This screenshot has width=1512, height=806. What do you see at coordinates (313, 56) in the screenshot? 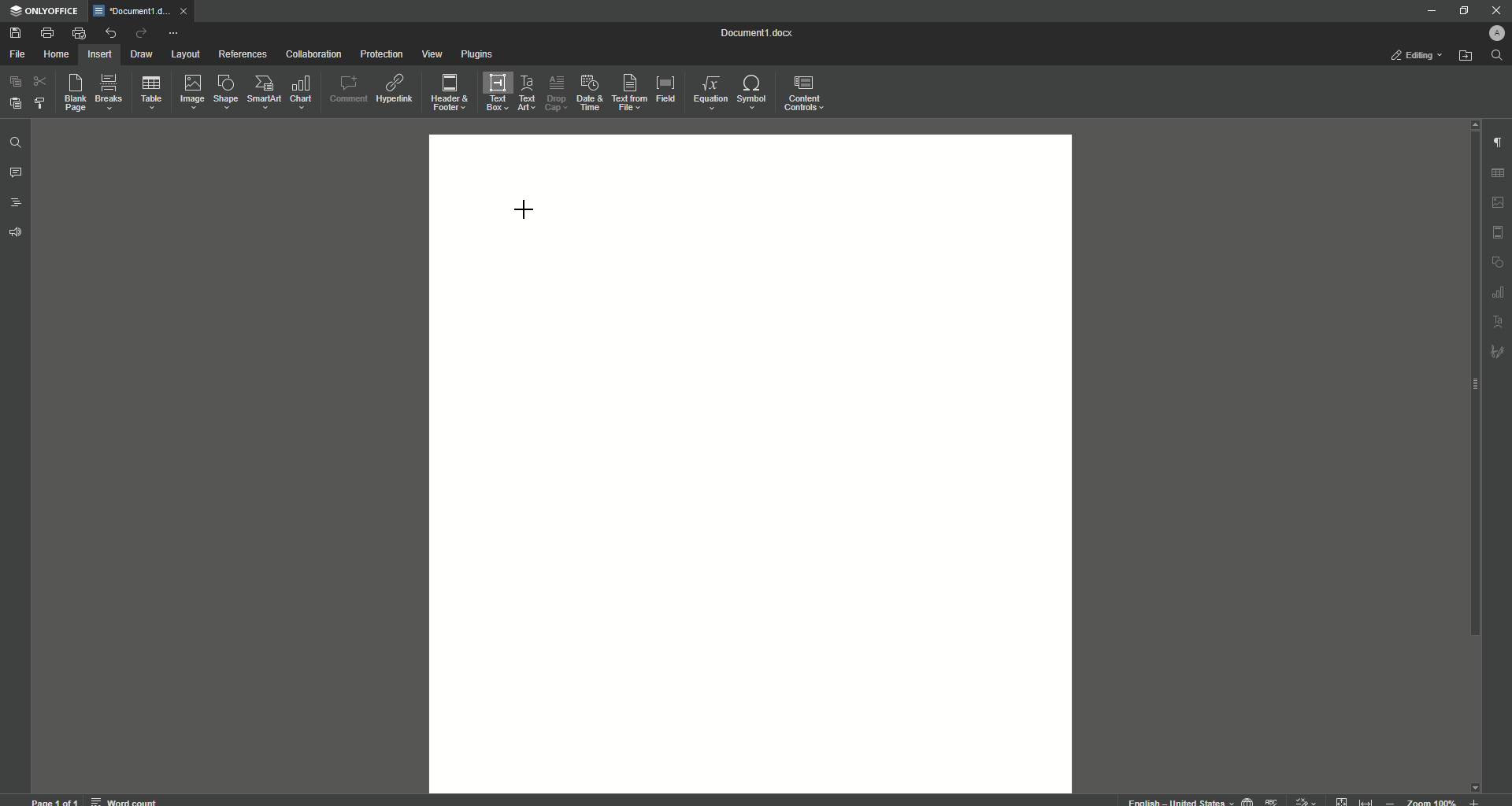
I see `Collaboration` at bounding box center [313, 56].